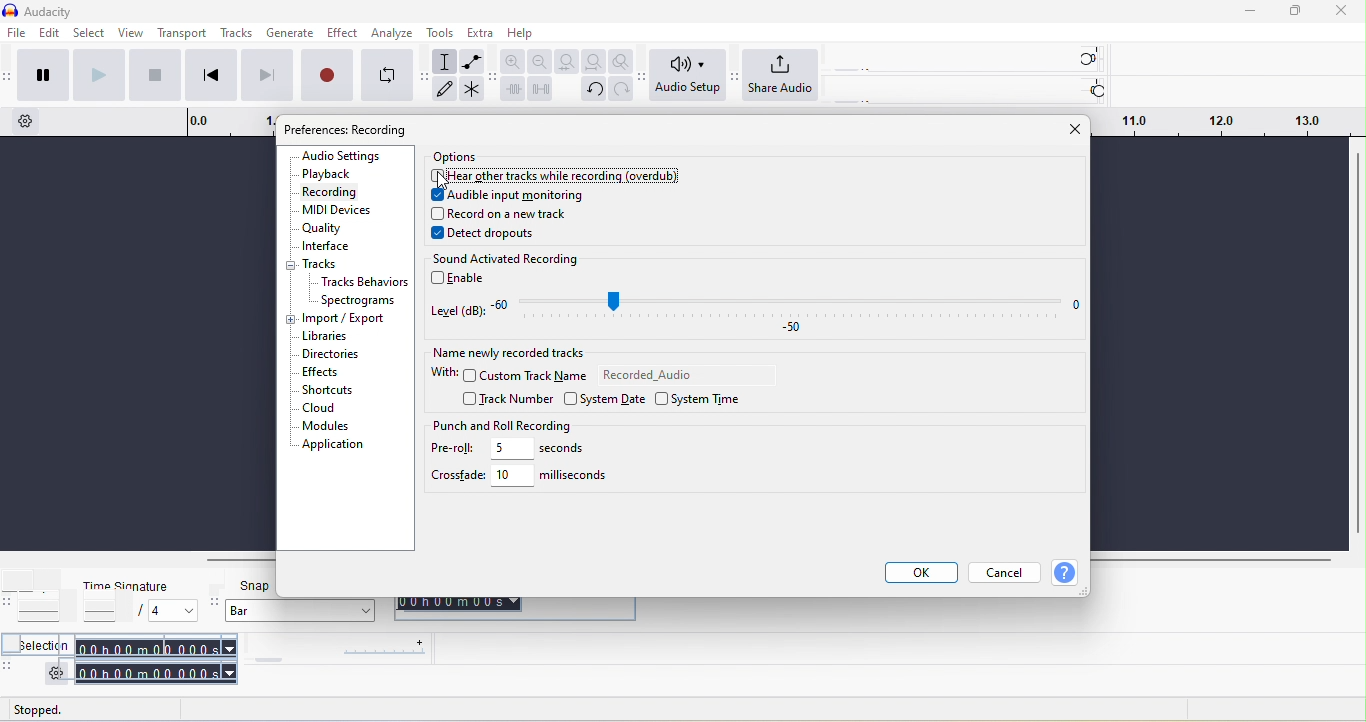 This screenshot has width=1366, height=722. I want to click on application, so click(334, 446).